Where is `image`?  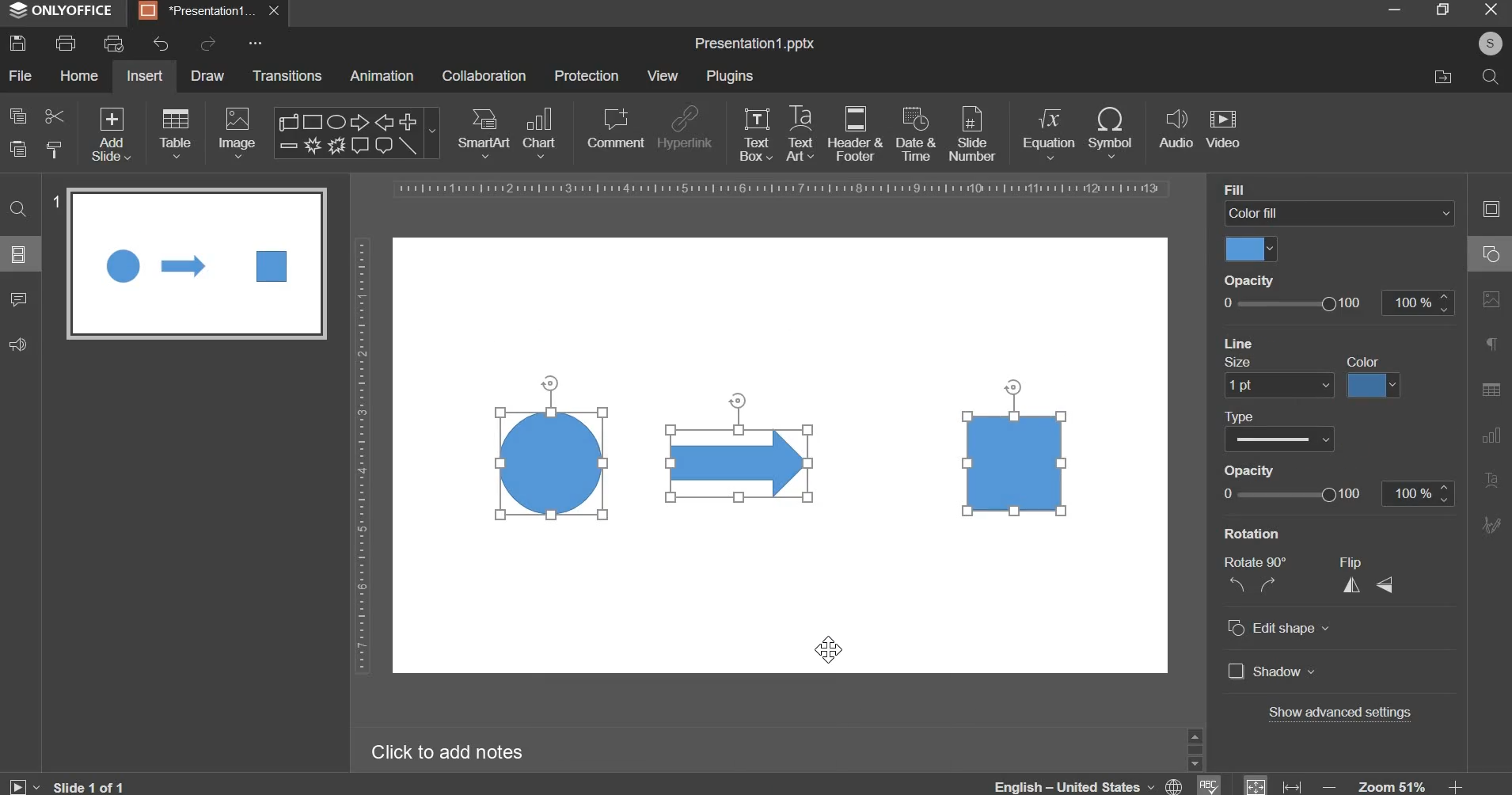 image is located at coordinates (239, 132).